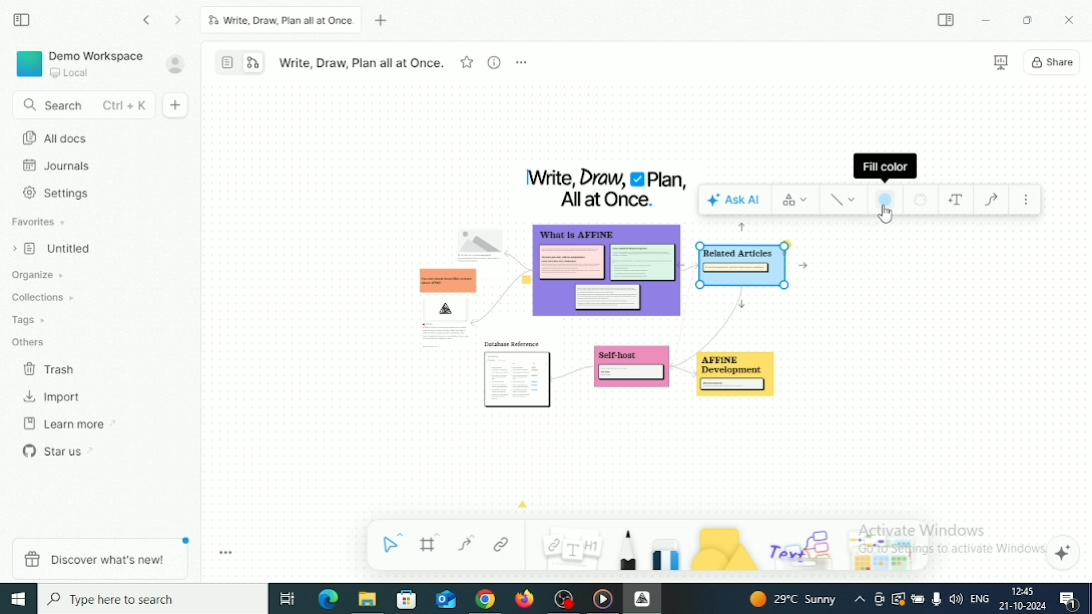 This screenshot has height=614, width=1092. I want to click on Date, so click(1021, 606).